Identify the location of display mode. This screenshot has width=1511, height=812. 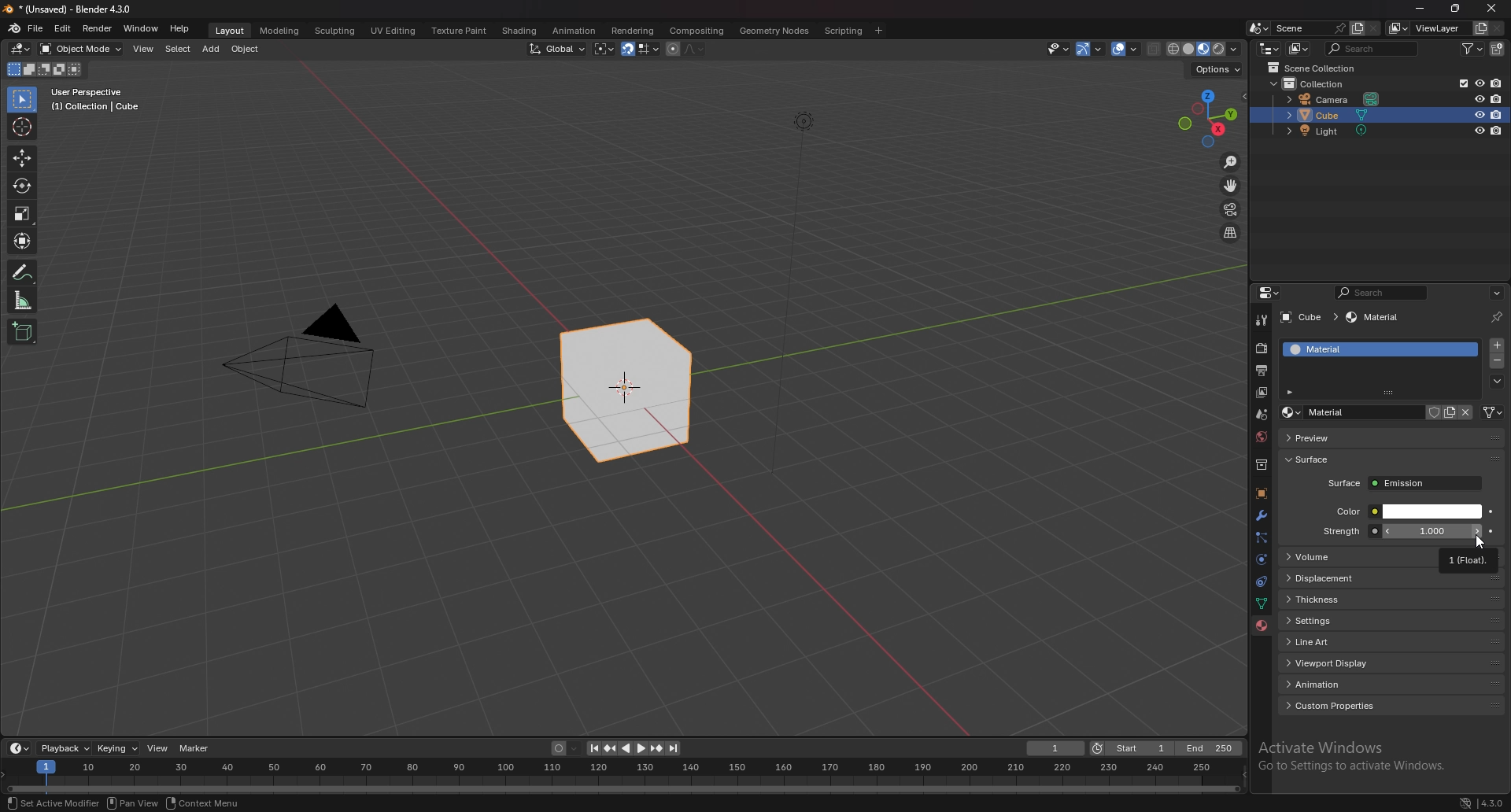
(1300, 49).